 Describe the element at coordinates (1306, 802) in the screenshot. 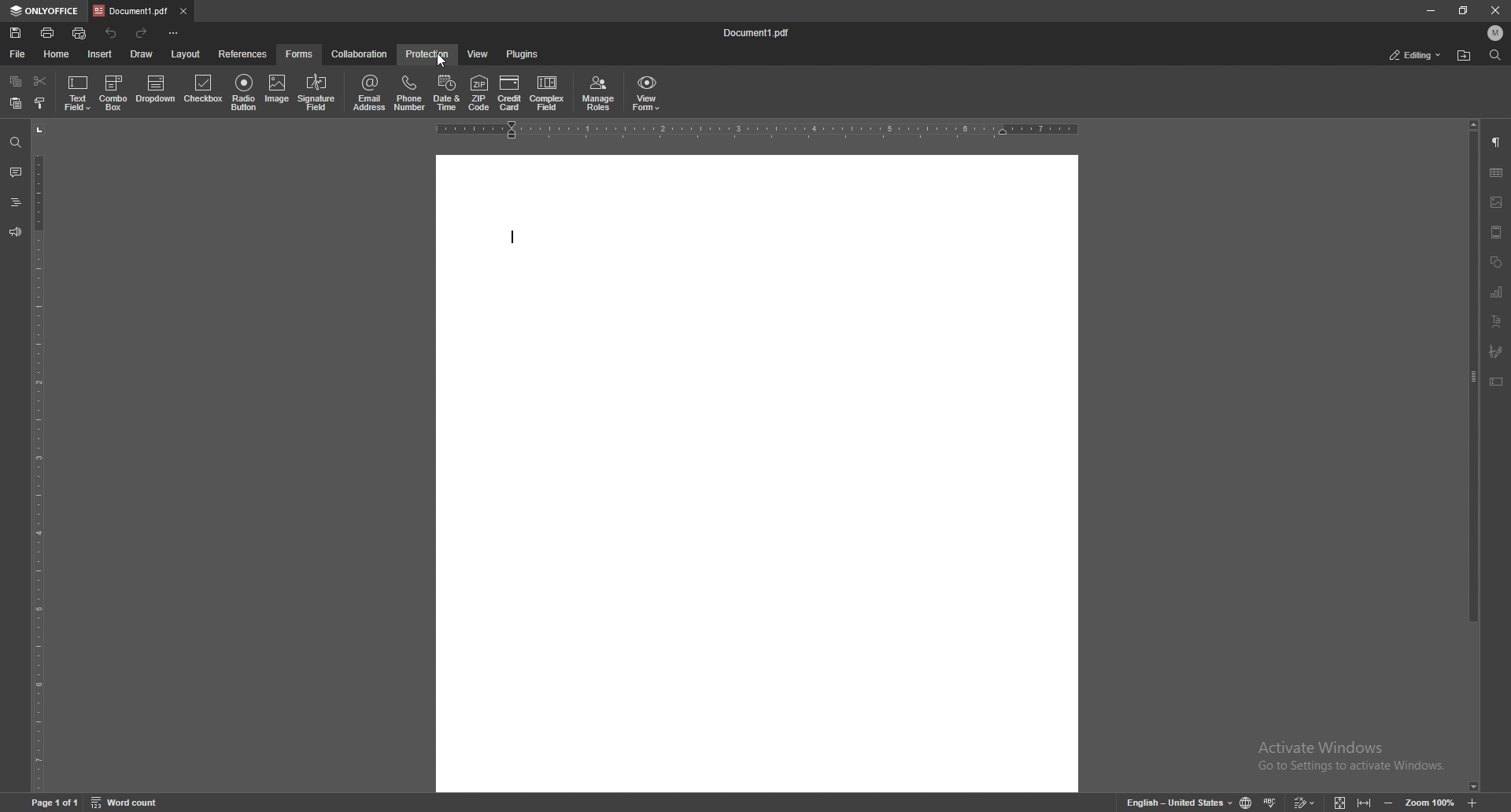

I see `track change` at that location.